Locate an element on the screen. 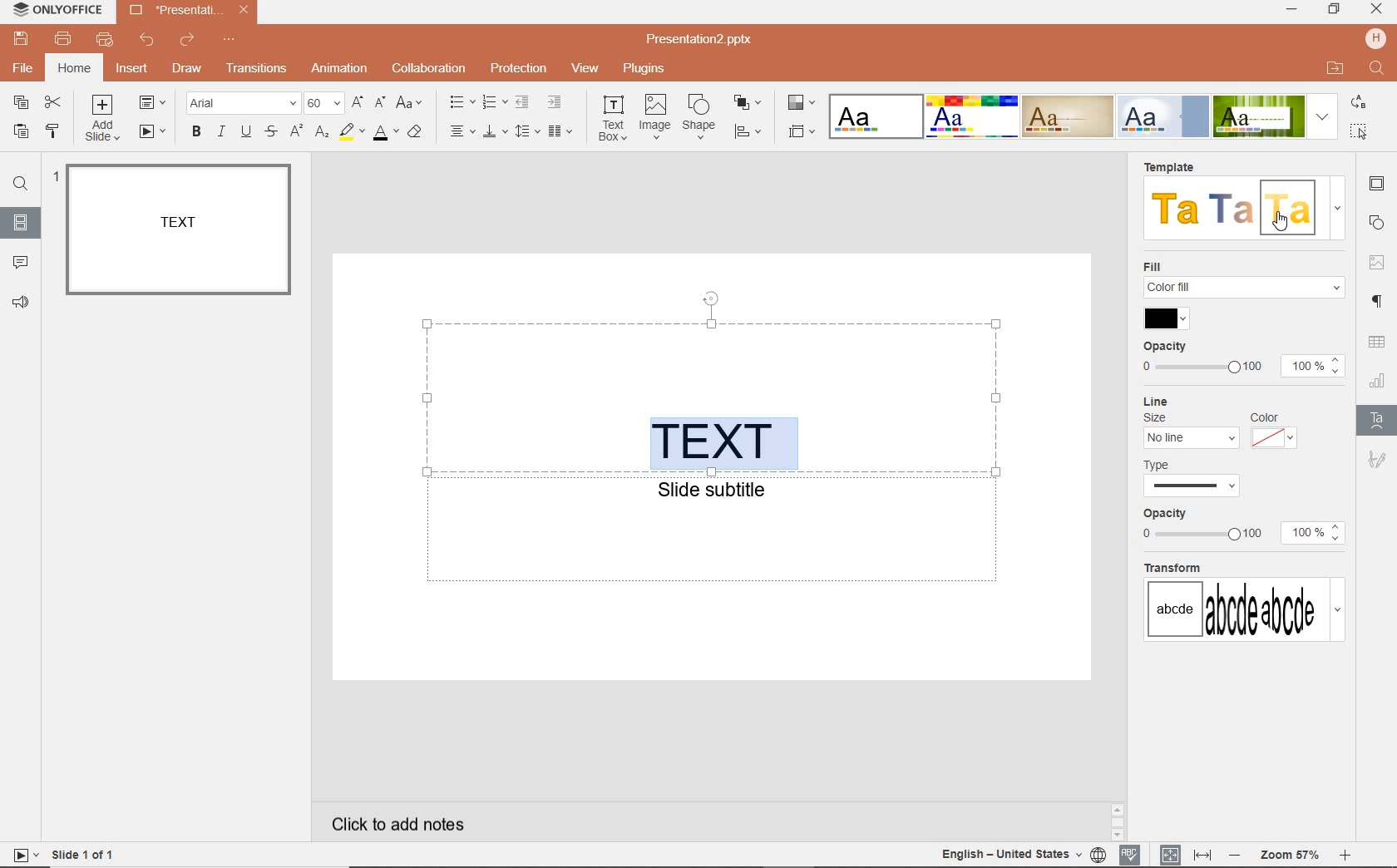  FEEDBACK & SUPPORT is located at coordinates (22, 304).